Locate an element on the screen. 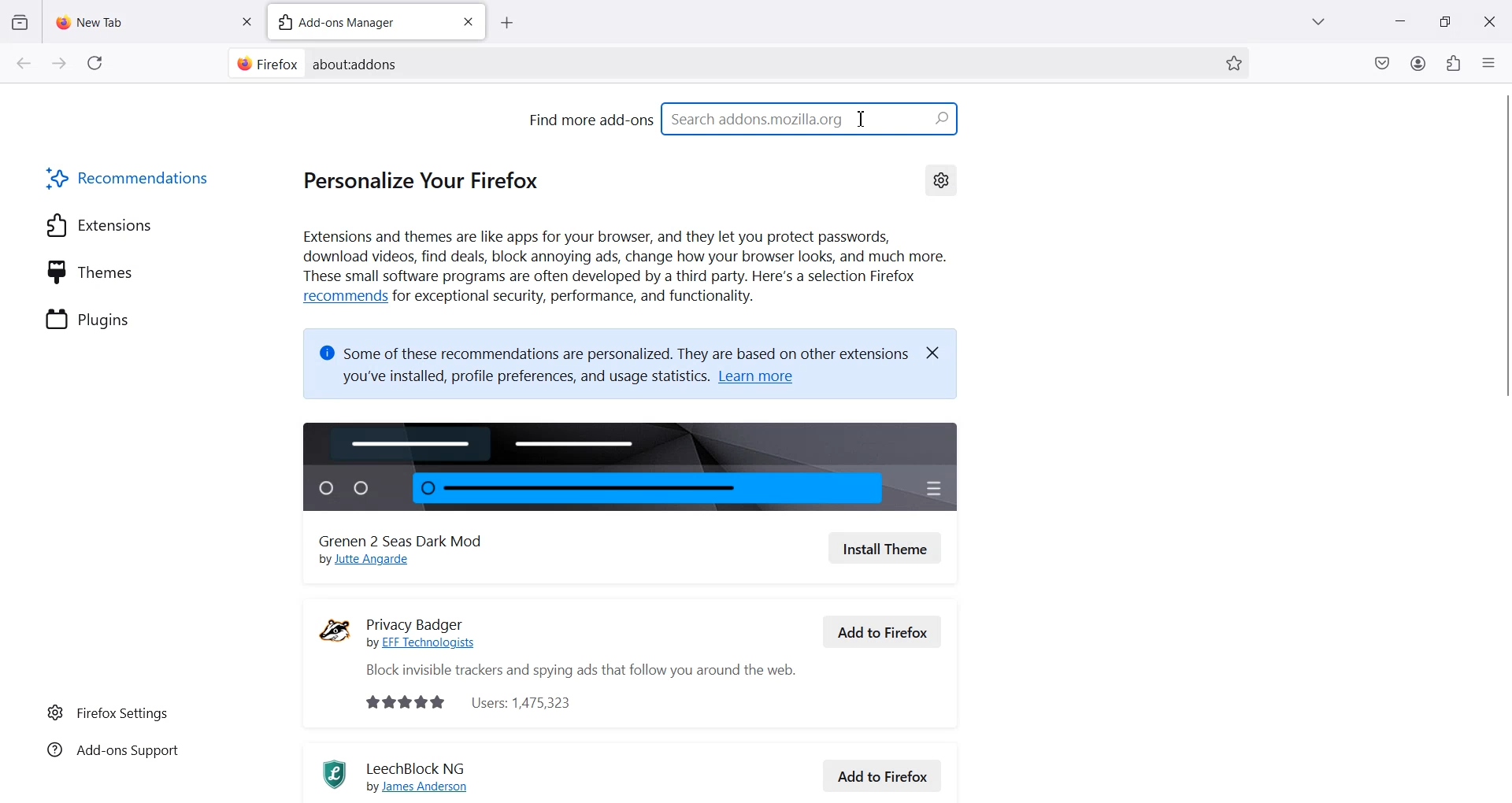  Add to Firefox is located at coordinates (883, 631).